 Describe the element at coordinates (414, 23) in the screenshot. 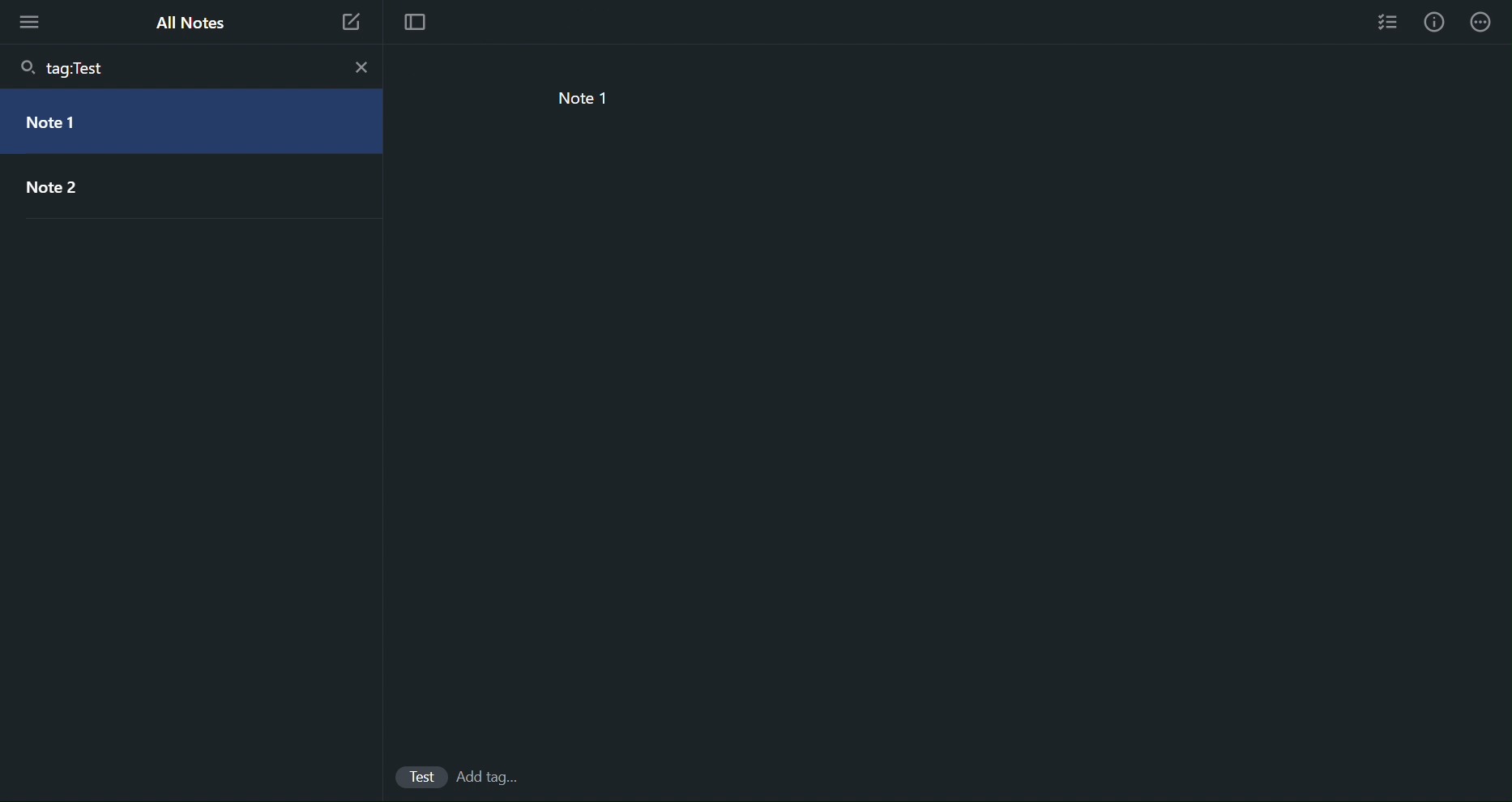

I see `Focus Mode` at that location.